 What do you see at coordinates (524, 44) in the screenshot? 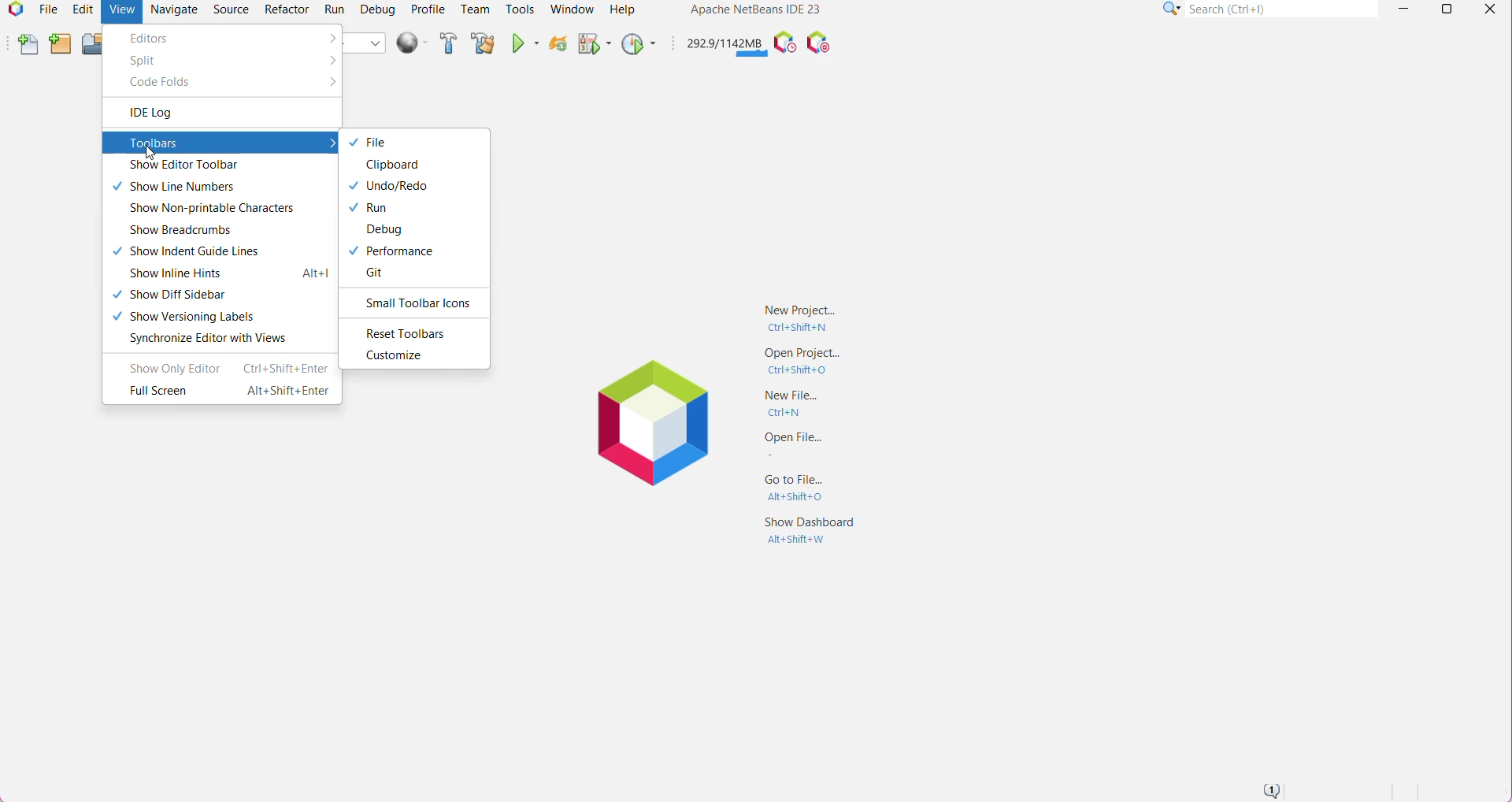
I see `Run Main Project` at bounding box center [524, 44].